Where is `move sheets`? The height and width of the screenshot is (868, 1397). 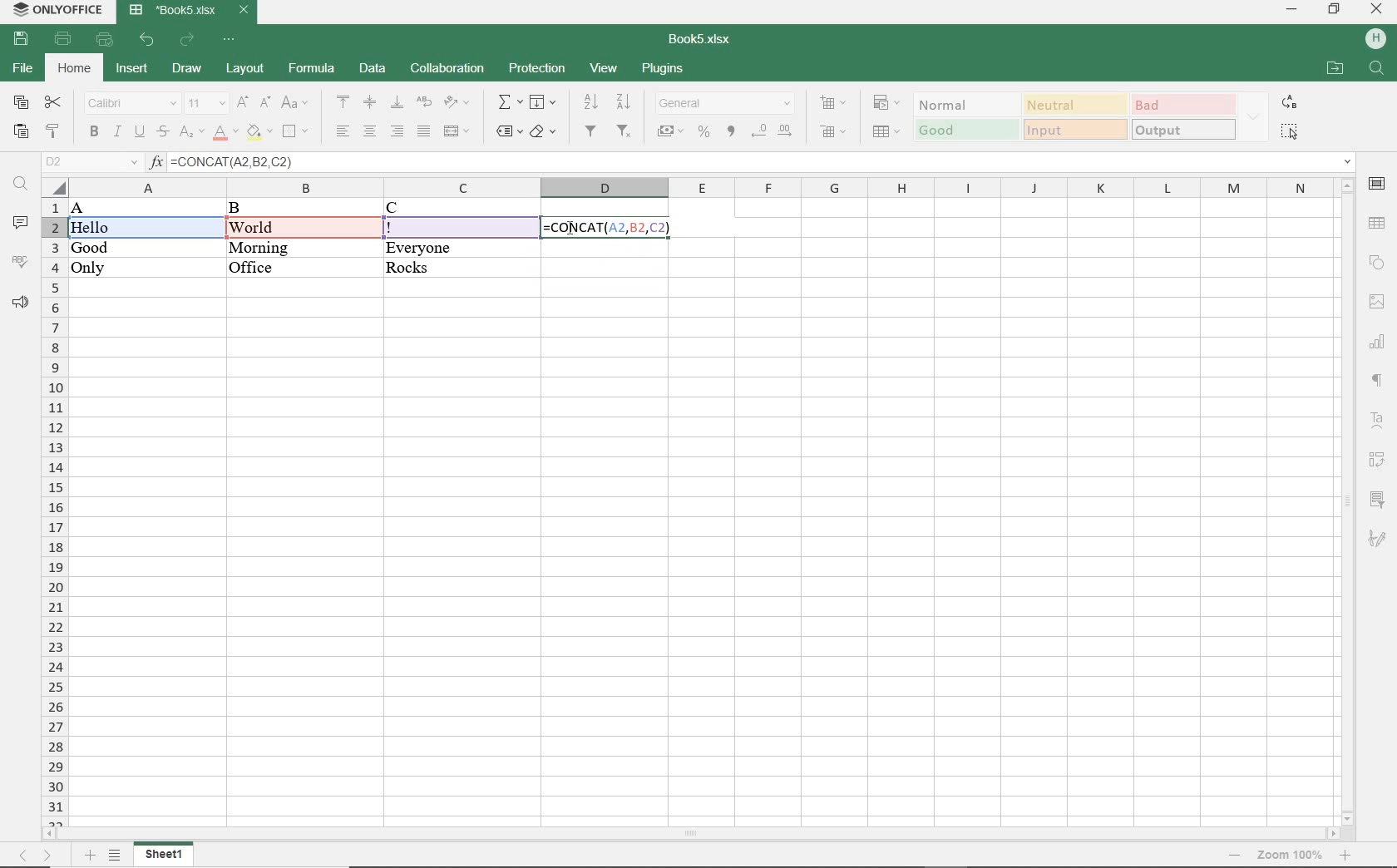
move sheets is located at coordinates (39, 854).